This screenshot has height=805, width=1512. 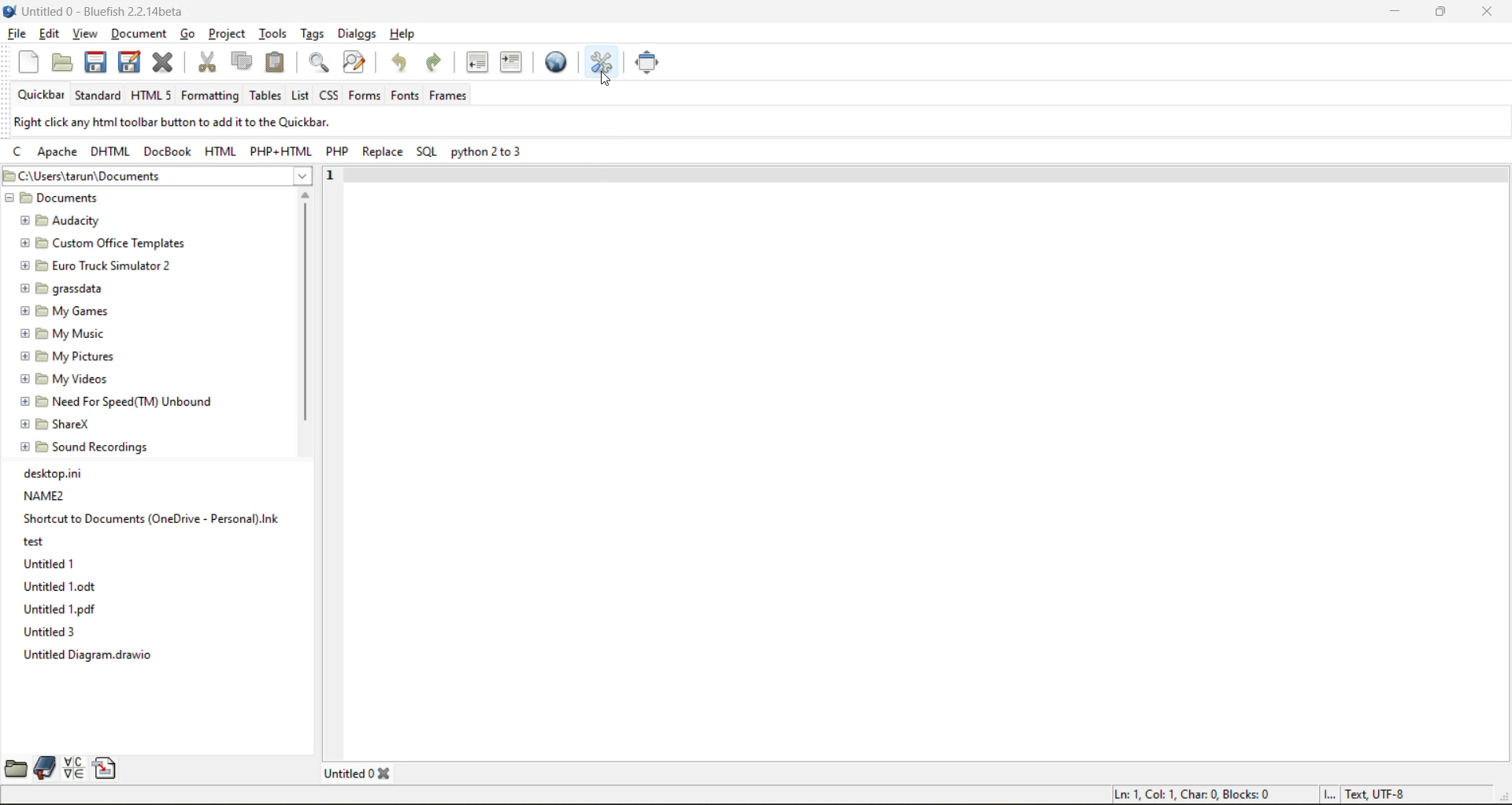 What do you see at coordinates (363, 95) in the screenshot?
I see `forms` at bounding box center [363, 95].